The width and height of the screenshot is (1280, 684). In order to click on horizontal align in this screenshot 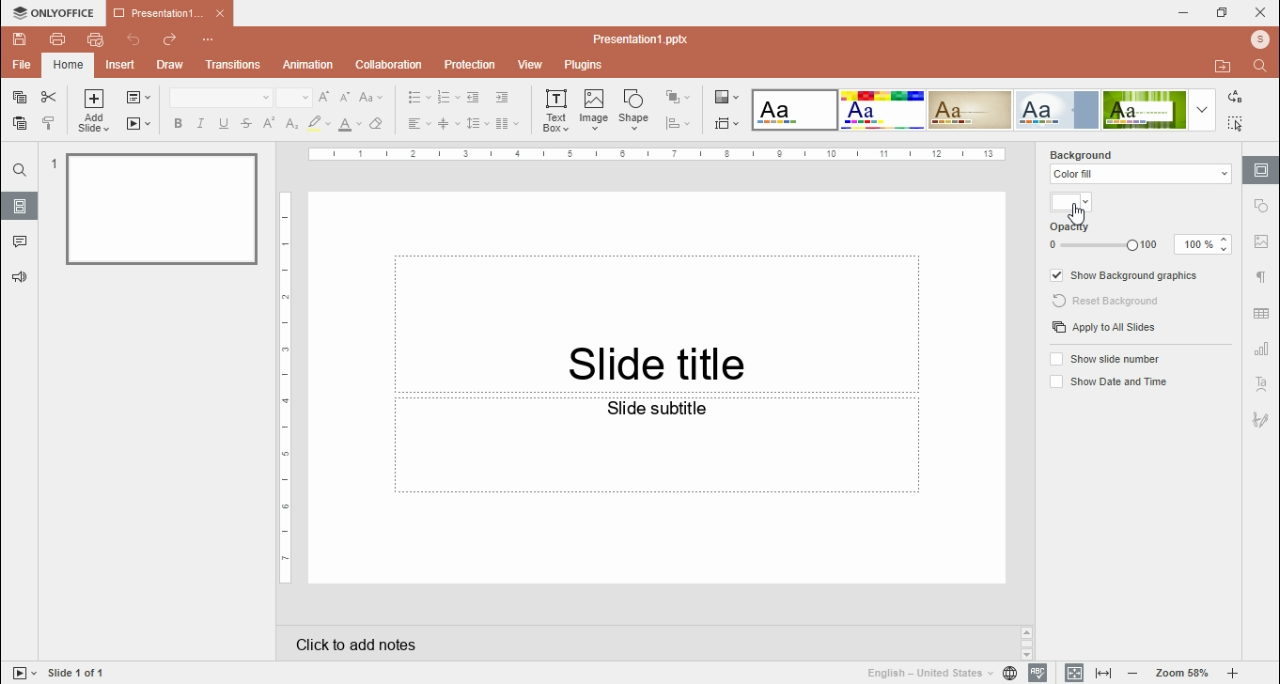, I will do `click(418, 124)`.